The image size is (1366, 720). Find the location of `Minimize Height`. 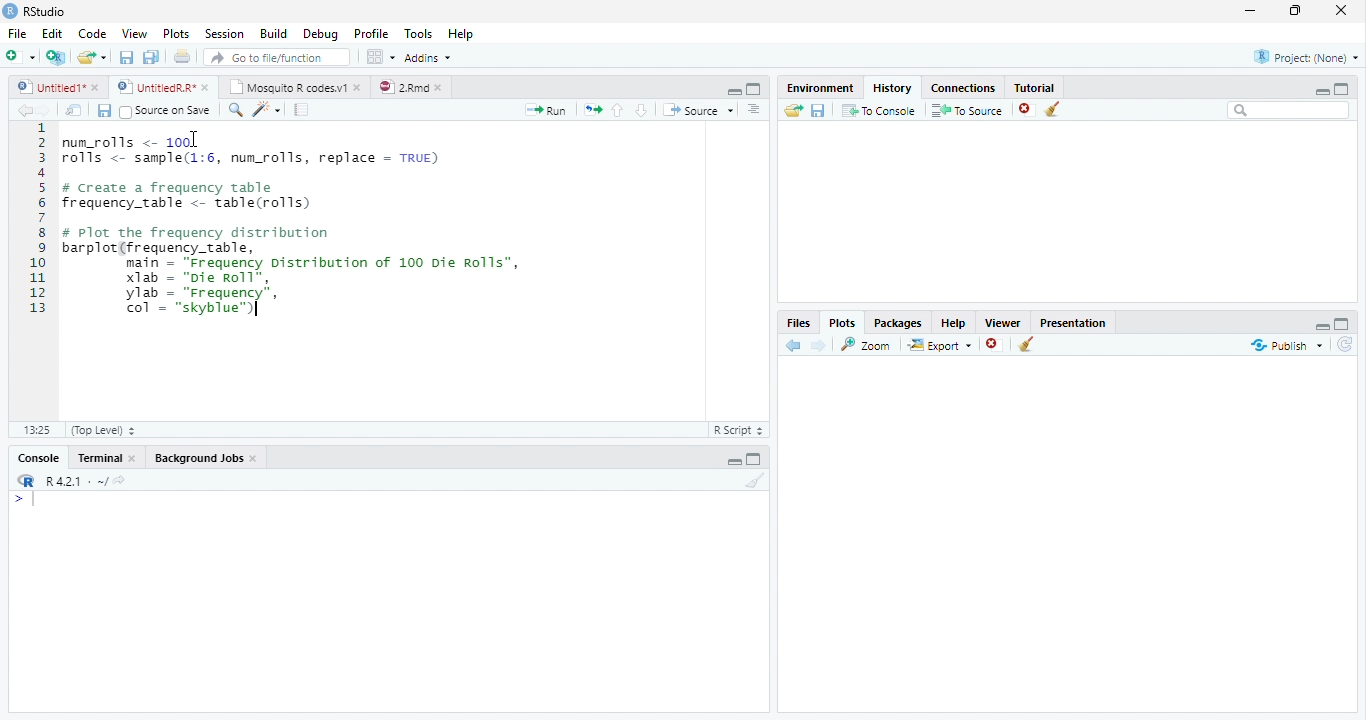

Minimize Height is located at coordinates (1321, 91).